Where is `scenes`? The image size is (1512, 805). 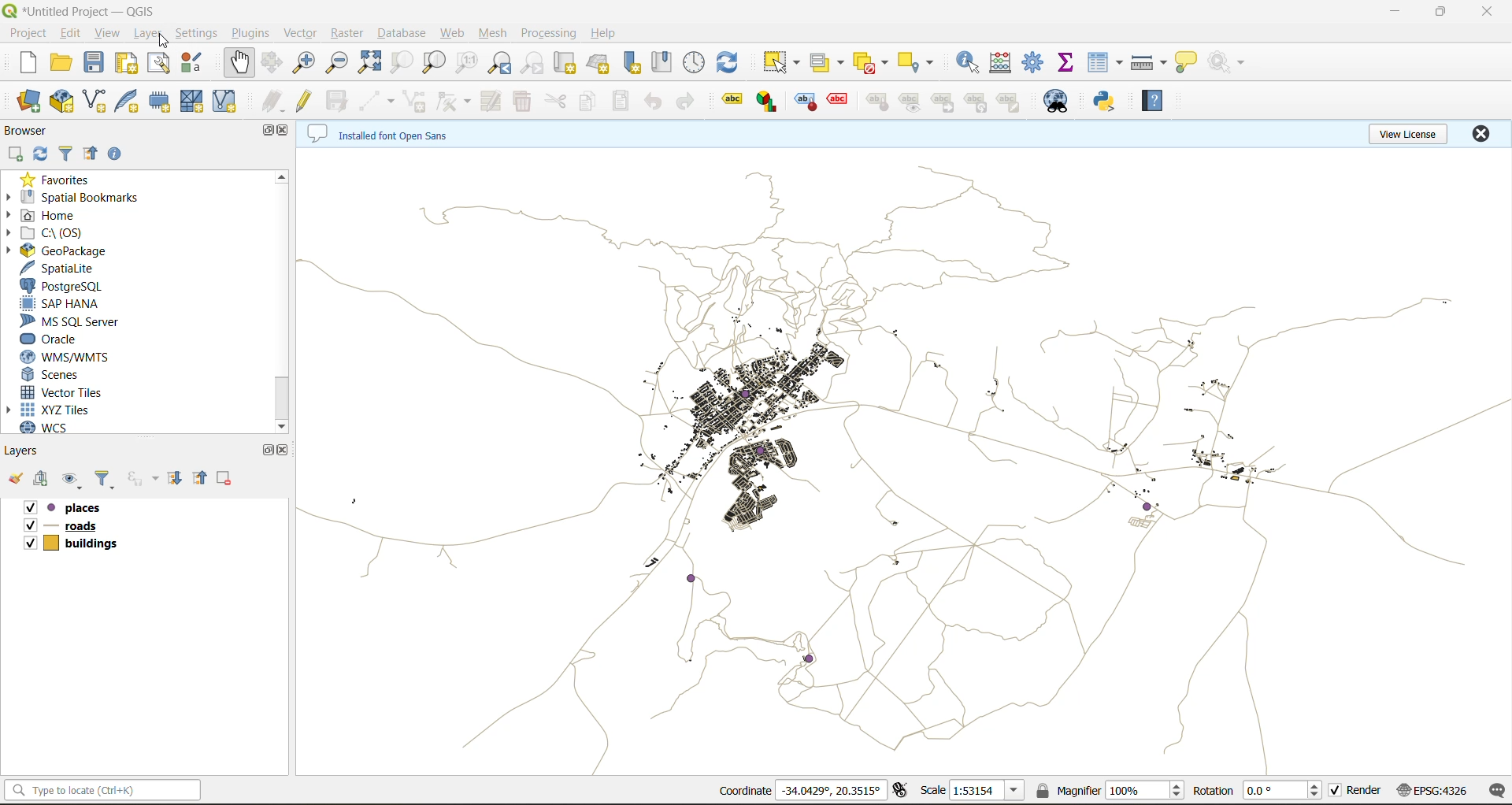 scenes is located at coordinates (65, 374).